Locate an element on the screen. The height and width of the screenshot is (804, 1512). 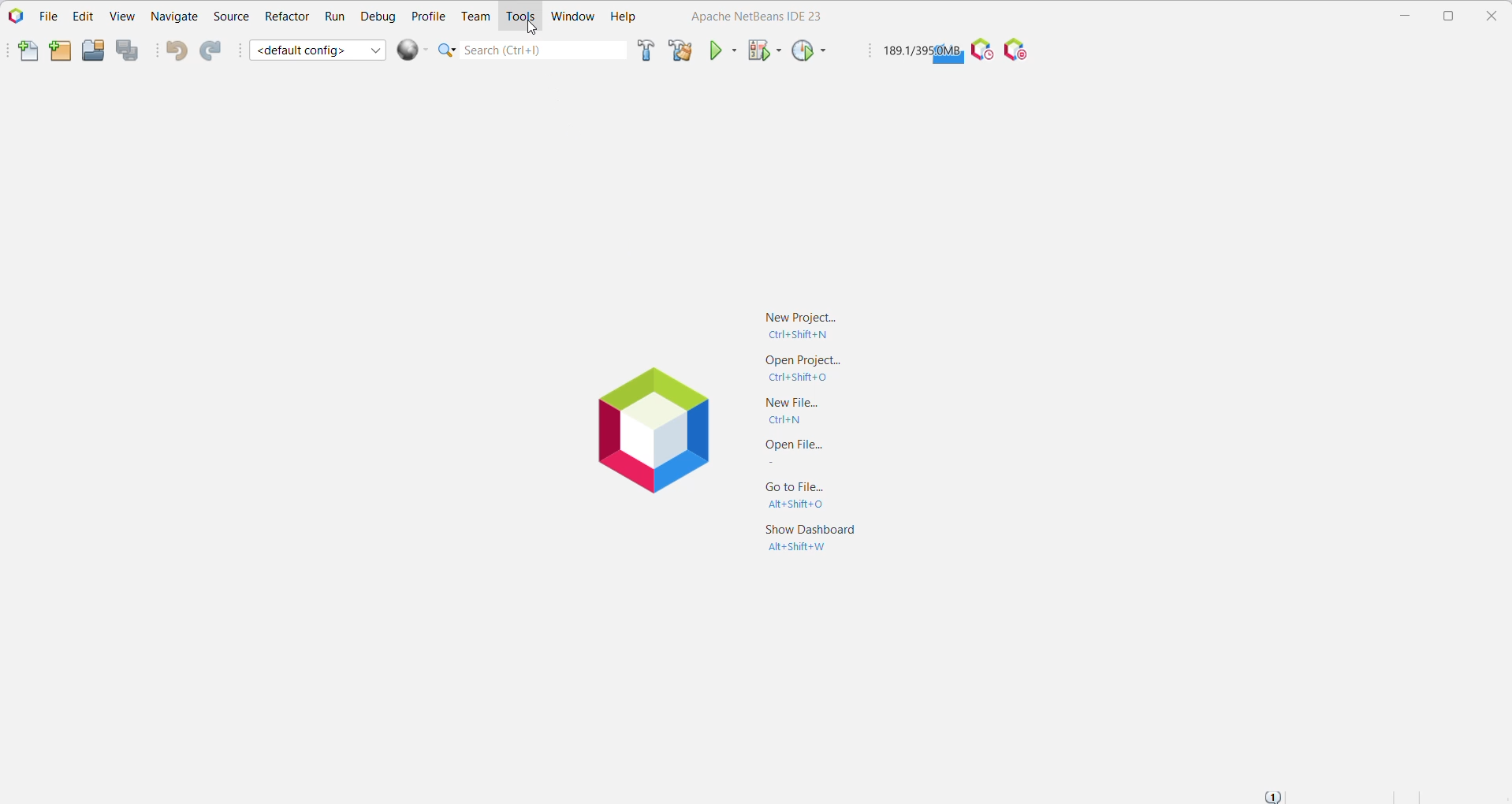
Tools is located at coordinates (520, 17).